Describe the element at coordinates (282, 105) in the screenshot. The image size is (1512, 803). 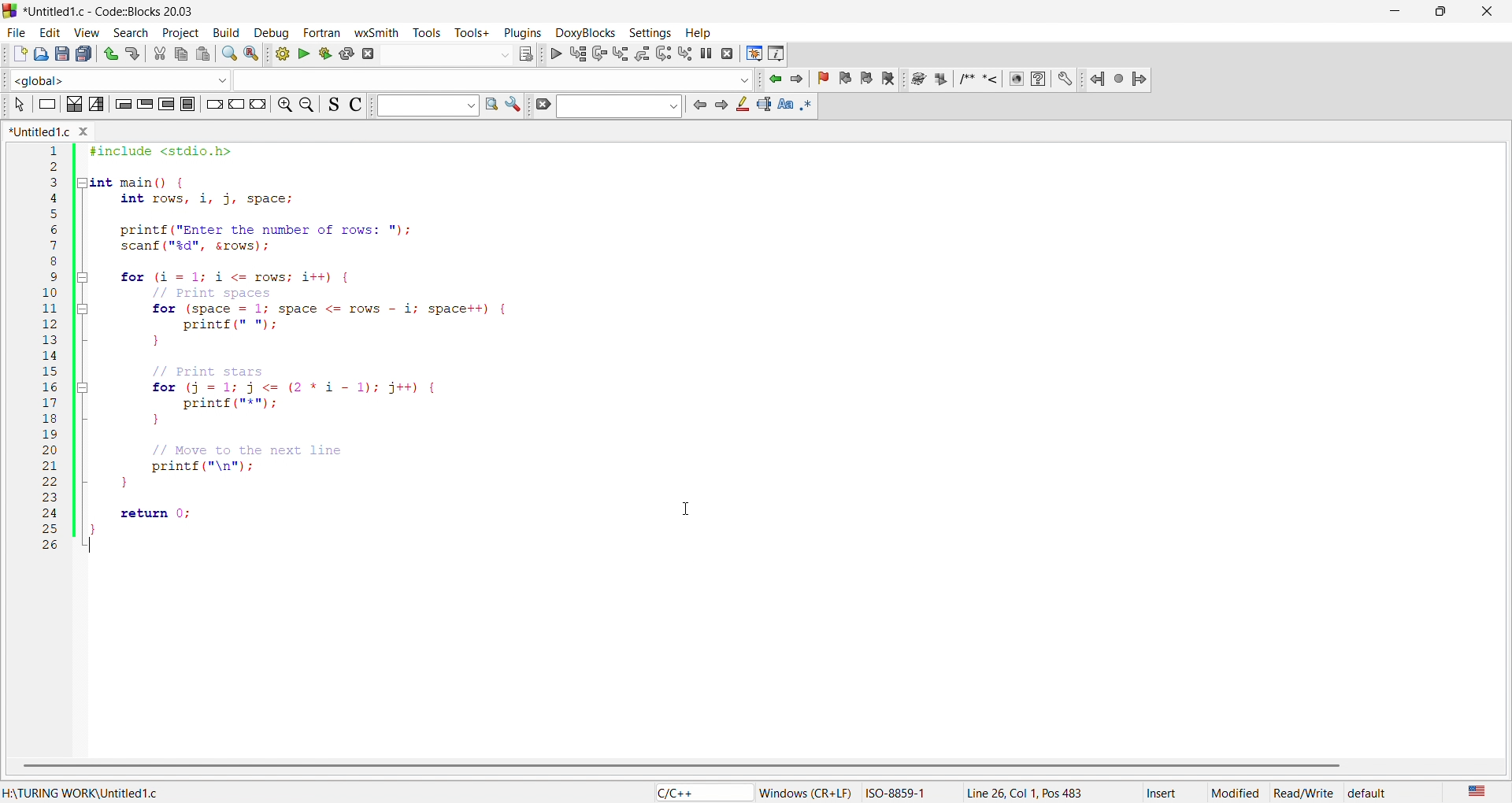
I see `zoom in ` at that location.